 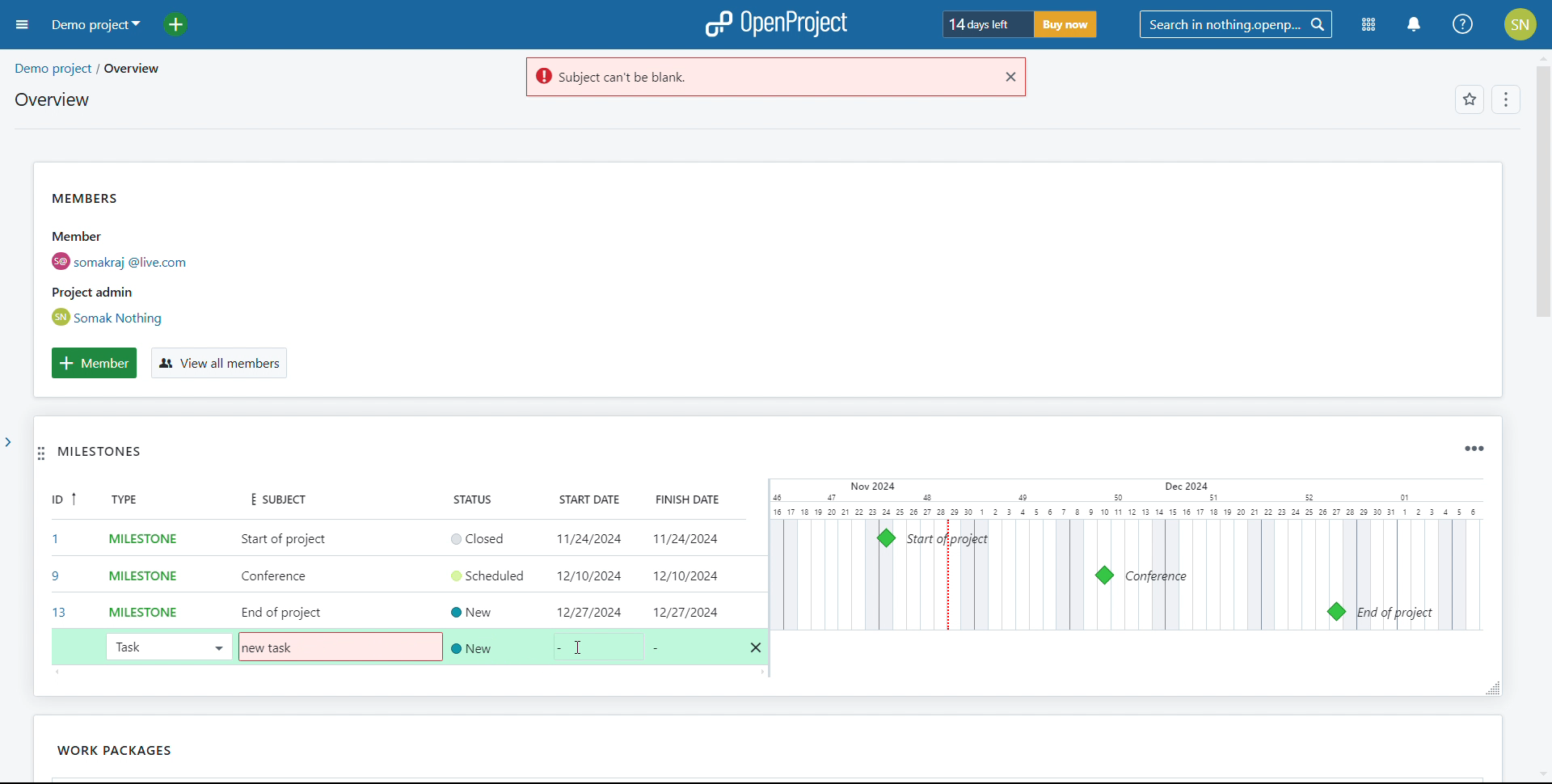 What do you see at coordinates (168, 747) in the screenshot?
I see `phase` at bounding box center [168, 747].